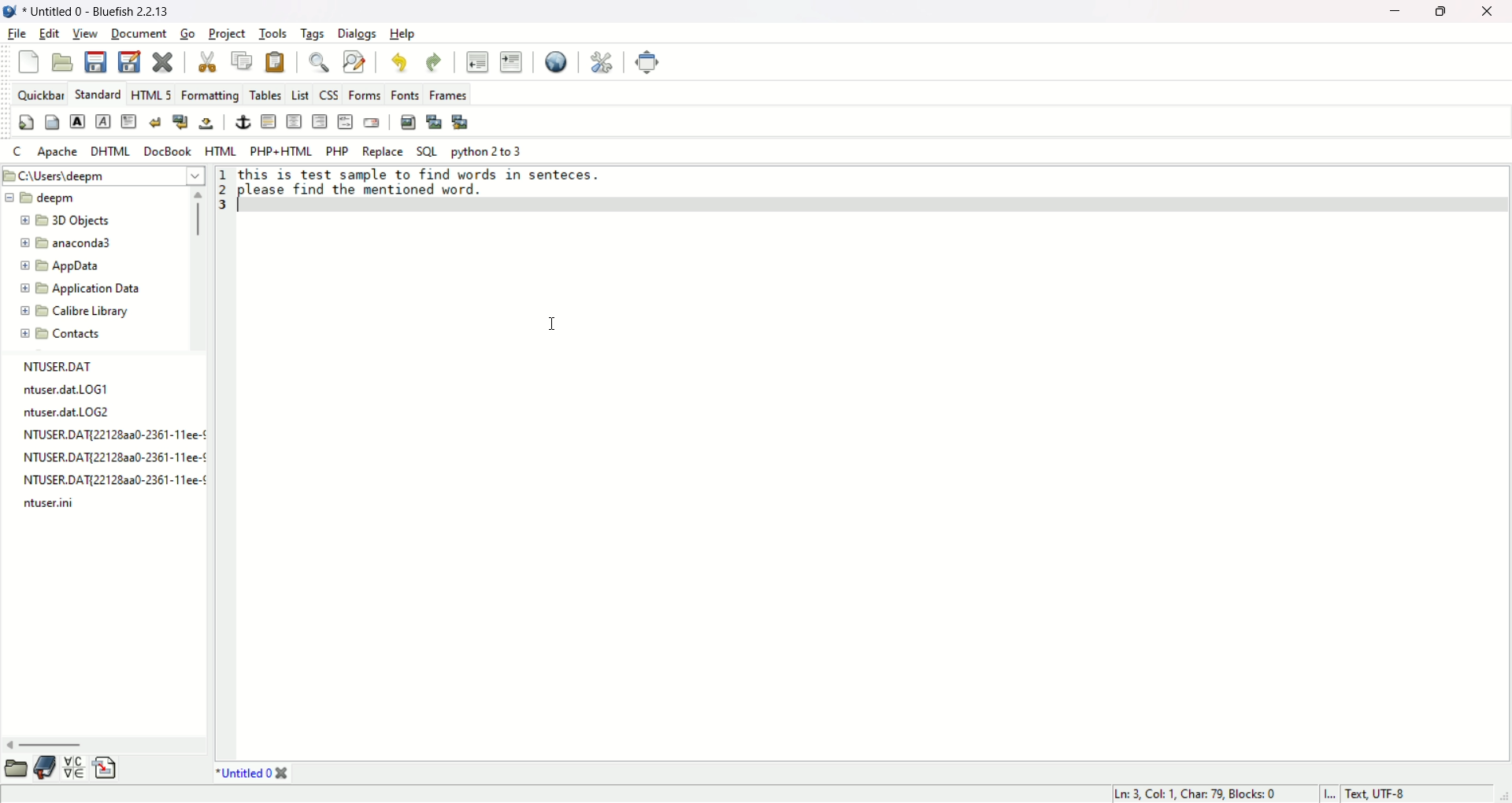  I want to click on location, so click(102, 173).